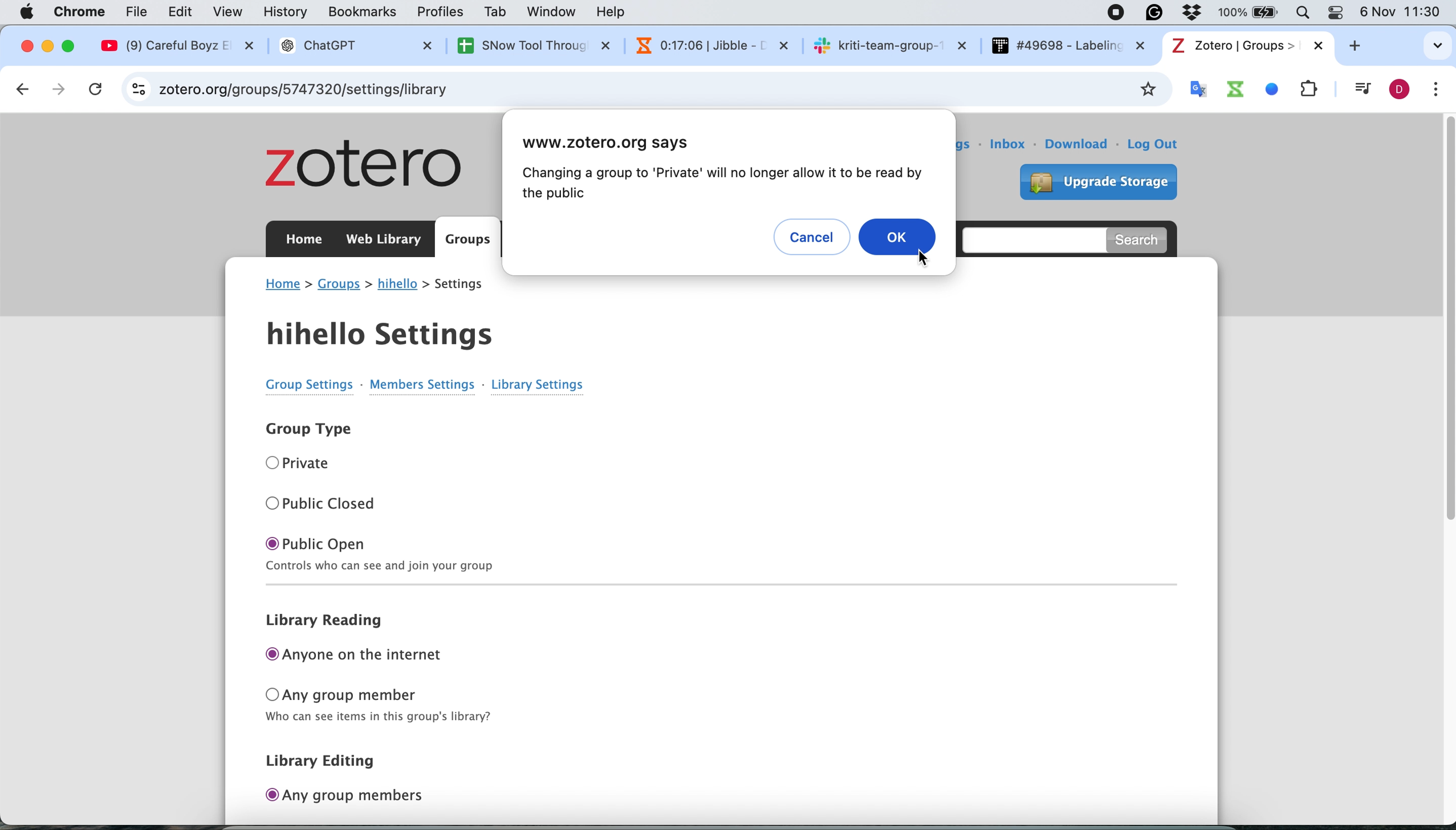 This screenshot has height=830, width=1456. What do you see at coordinates (377, 719) in the screenshot?
I see `Who can see items in this group's library` at bounding box center [377, 719].